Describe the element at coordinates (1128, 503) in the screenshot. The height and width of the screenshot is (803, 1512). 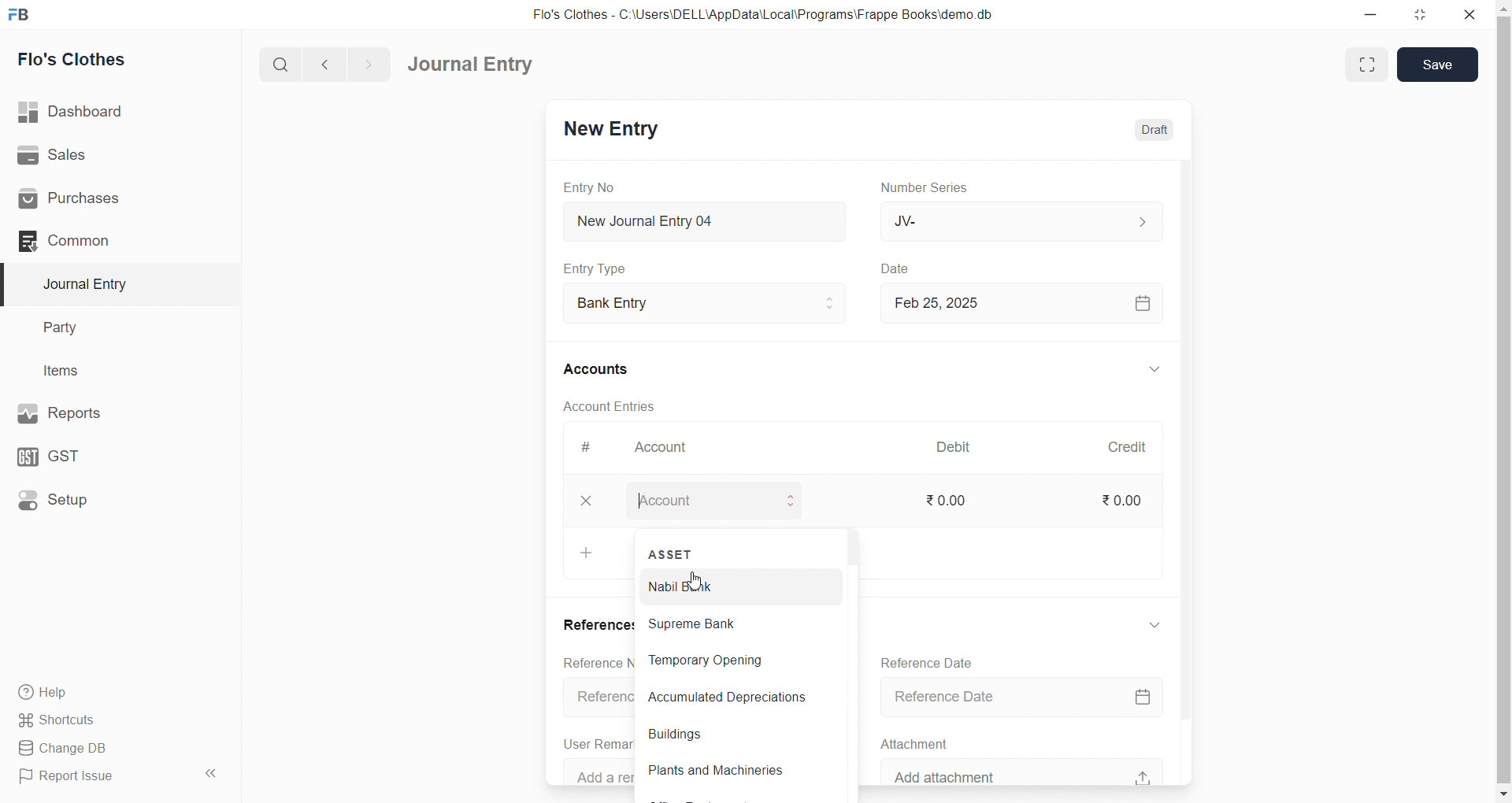
I see `₹ 0.00` at that location.